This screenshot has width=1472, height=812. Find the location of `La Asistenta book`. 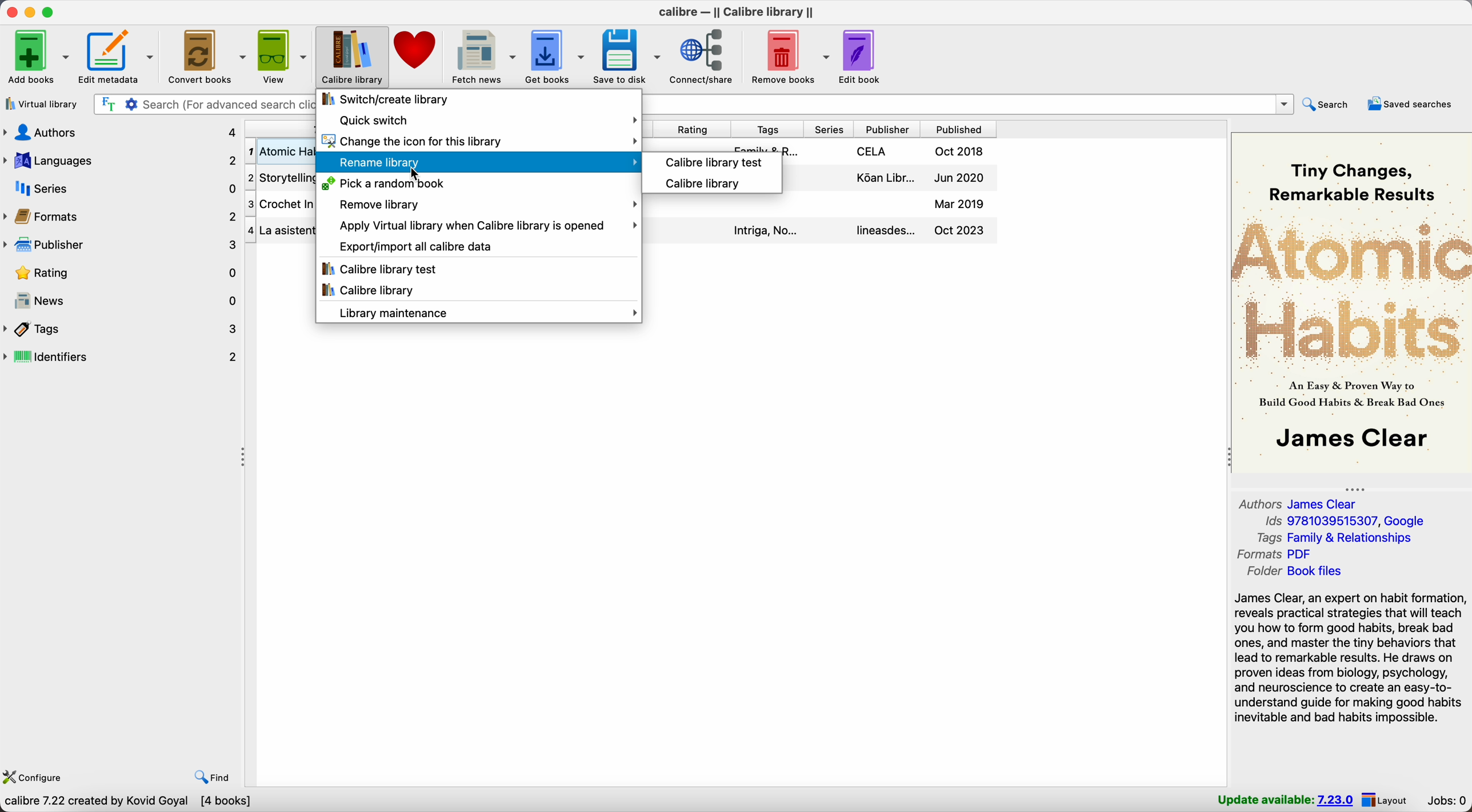

La Asistenta book is located at coordinates (281, 230).